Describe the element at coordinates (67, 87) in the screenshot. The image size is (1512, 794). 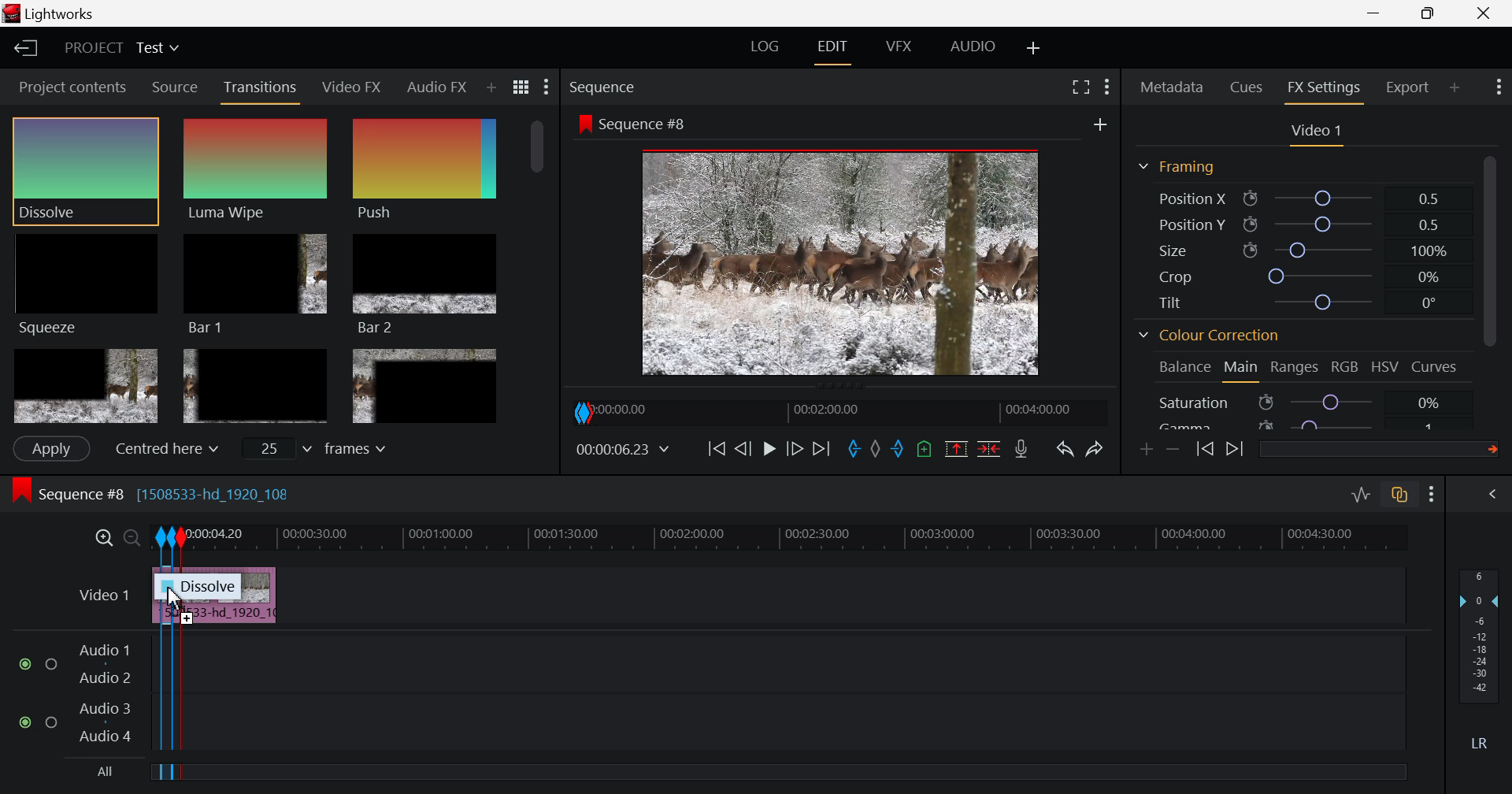
I see `Project contents` at that location.